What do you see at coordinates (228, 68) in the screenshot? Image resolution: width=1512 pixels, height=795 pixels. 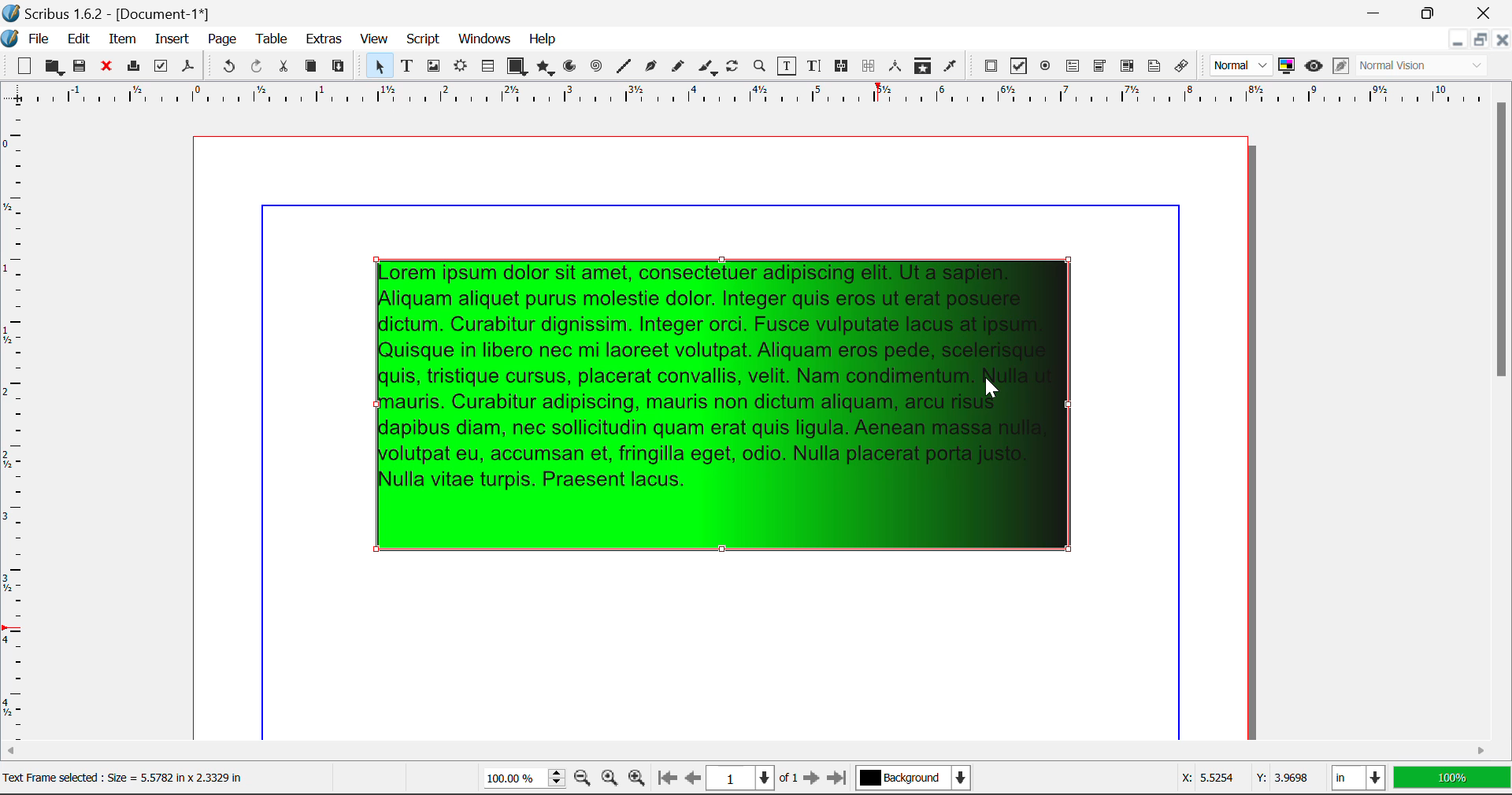 I see `Undo` at bounding box center [228, 68].